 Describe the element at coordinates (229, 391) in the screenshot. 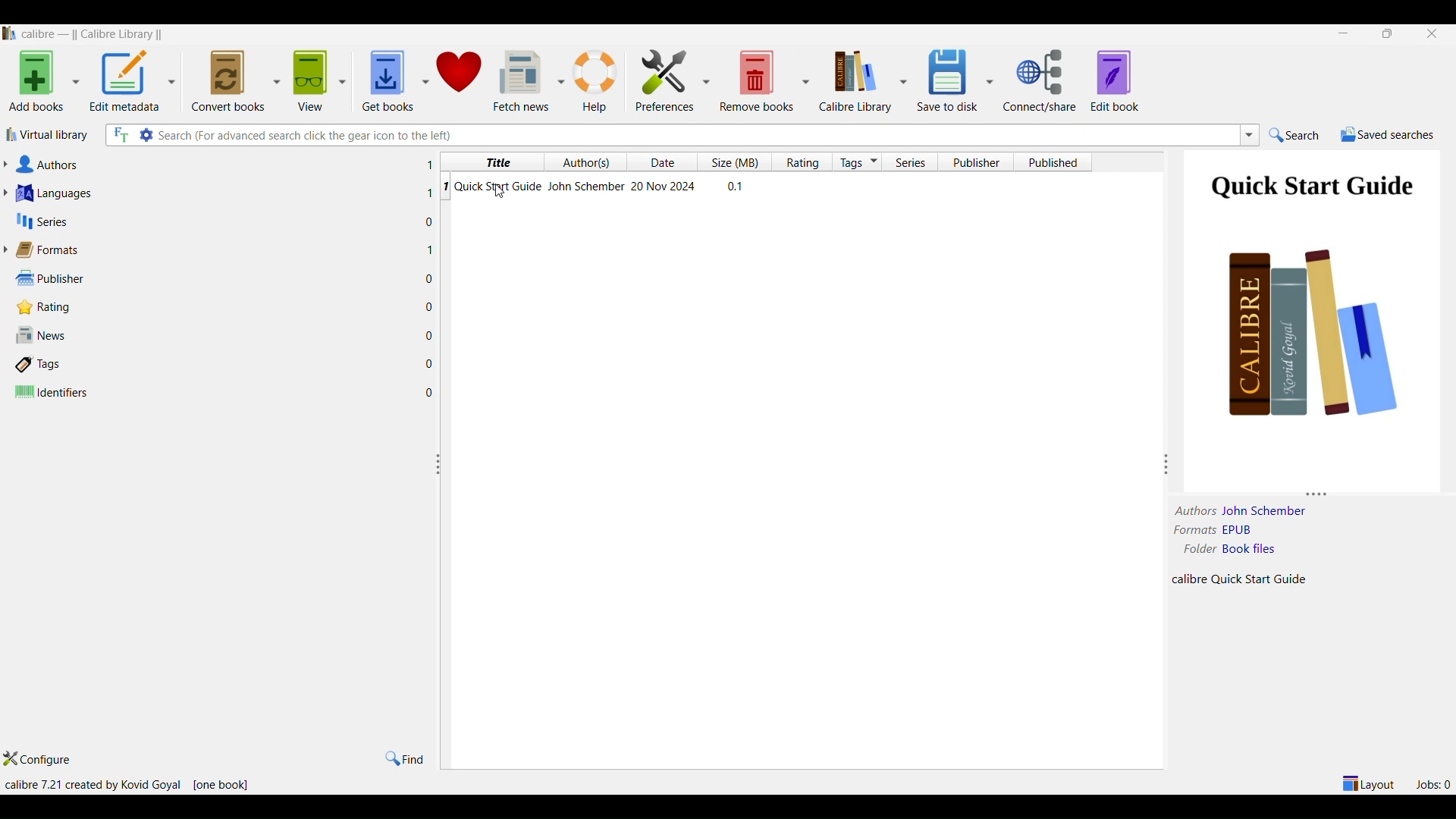

I see `identifiers` at that location.